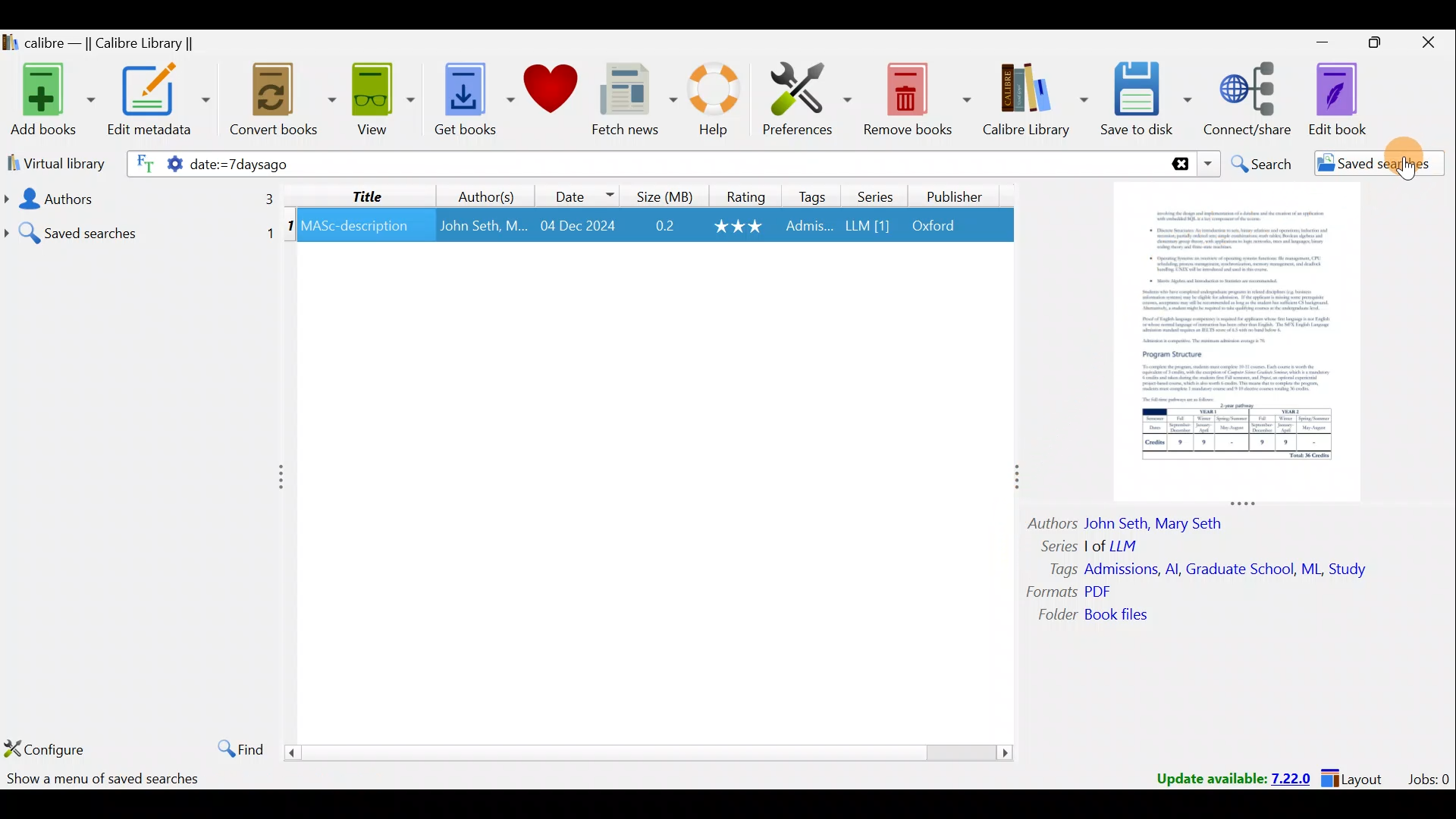  Describe the element at coordinates (1251, 100) in the screenshot. I see `Connect/share` at that location.